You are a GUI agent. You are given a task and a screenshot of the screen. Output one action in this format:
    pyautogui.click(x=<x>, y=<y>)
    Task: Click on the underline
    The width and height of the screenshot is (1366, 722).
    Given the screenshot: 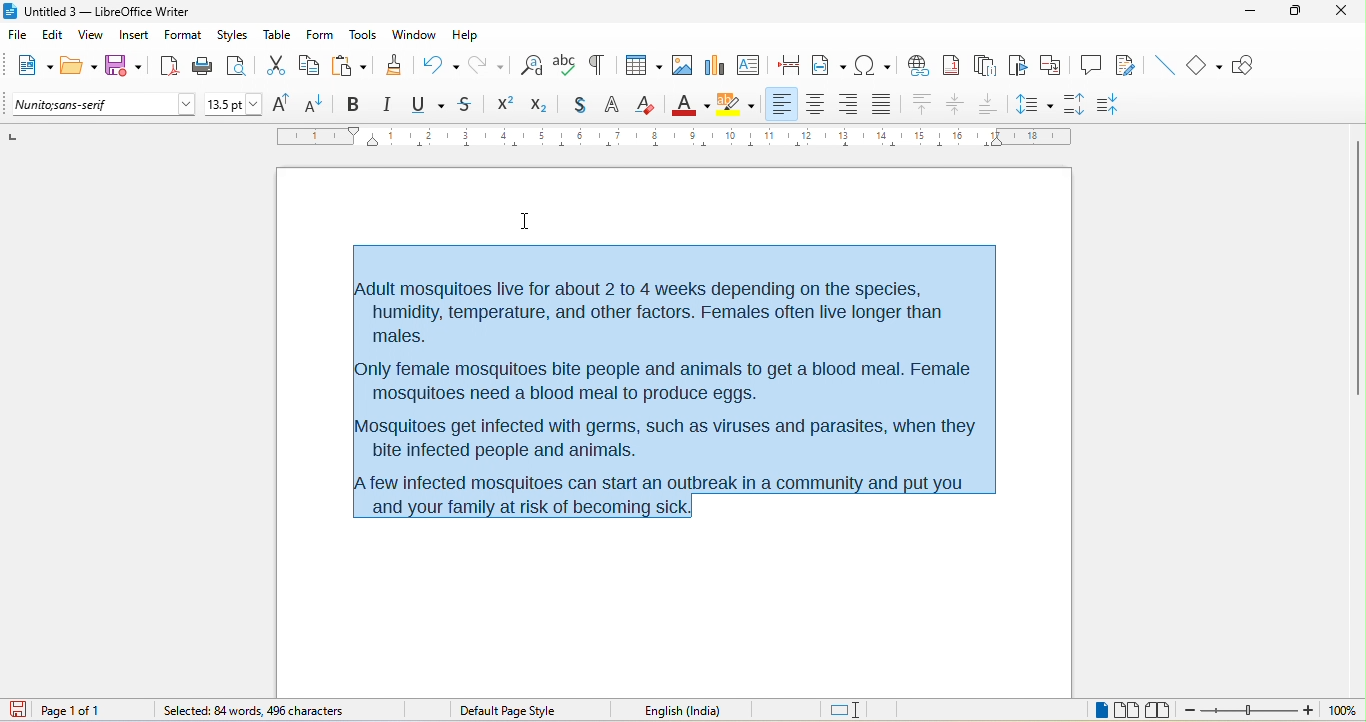 What is the action you would take?
    pyautogui.click(x=426, y=105)
    